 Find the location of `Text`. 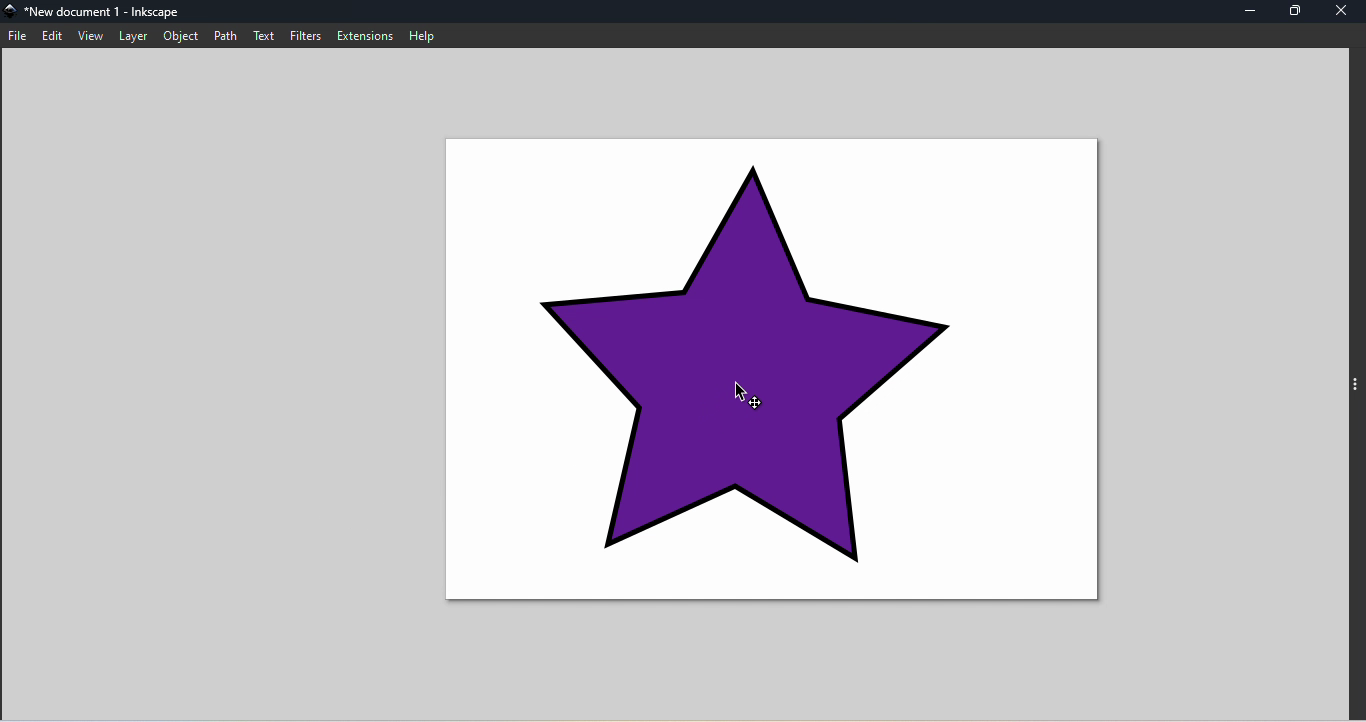

Text is located at coordinates (264, 35).